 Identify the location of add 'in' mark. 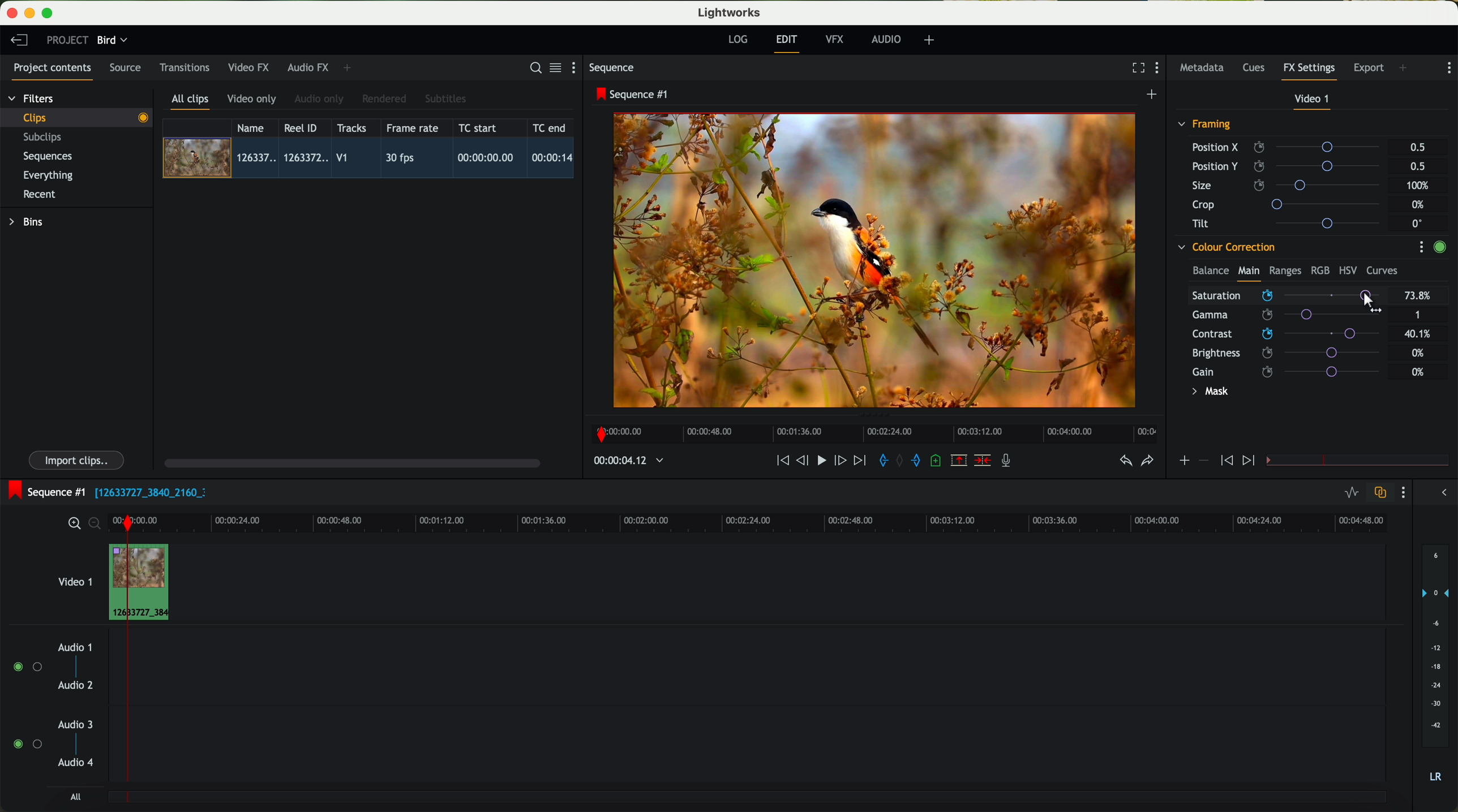
(880, 462).